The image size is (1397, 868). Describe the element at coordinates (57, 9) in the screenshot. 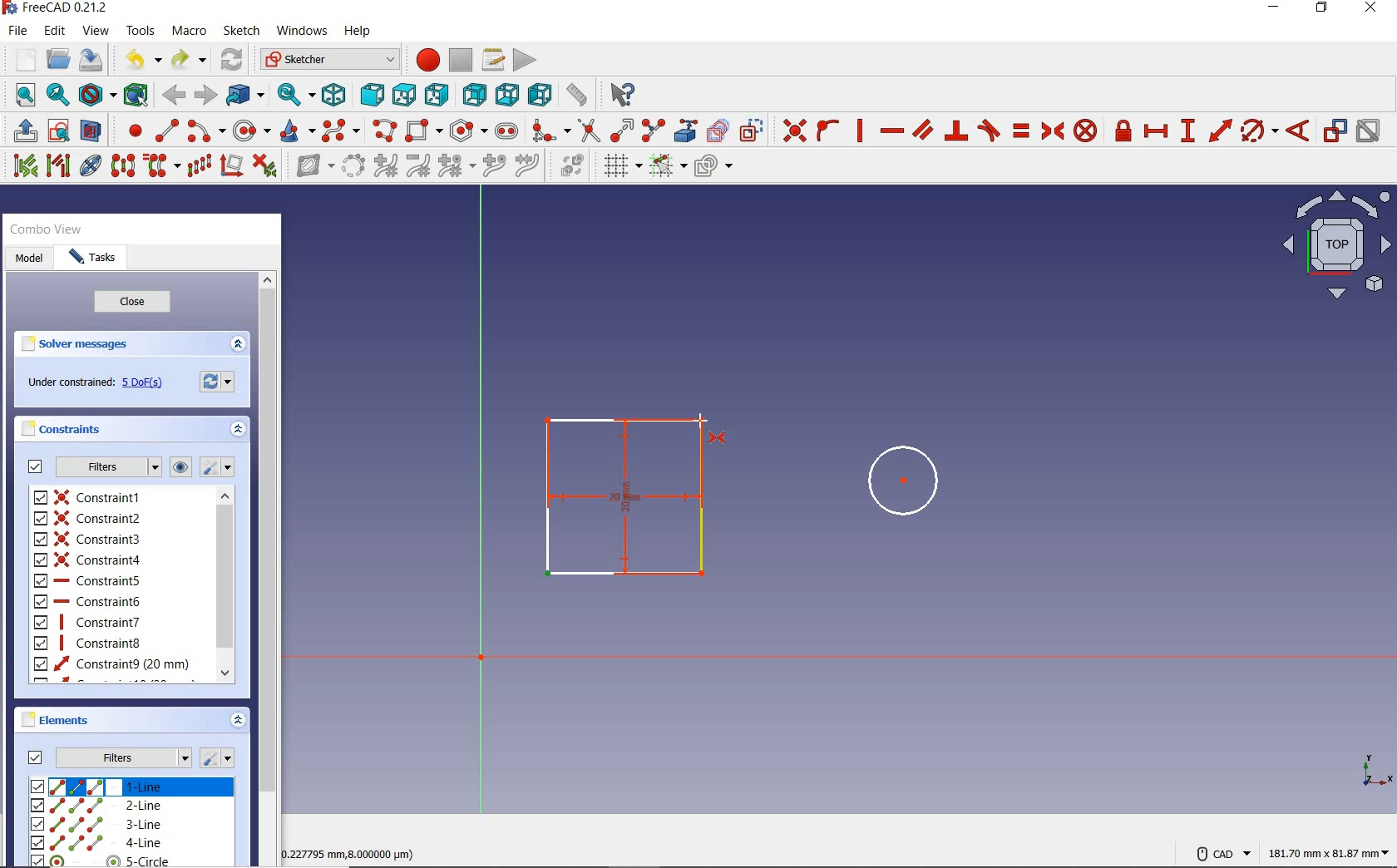

I see `FreeCAD 0.21.2` at that location.